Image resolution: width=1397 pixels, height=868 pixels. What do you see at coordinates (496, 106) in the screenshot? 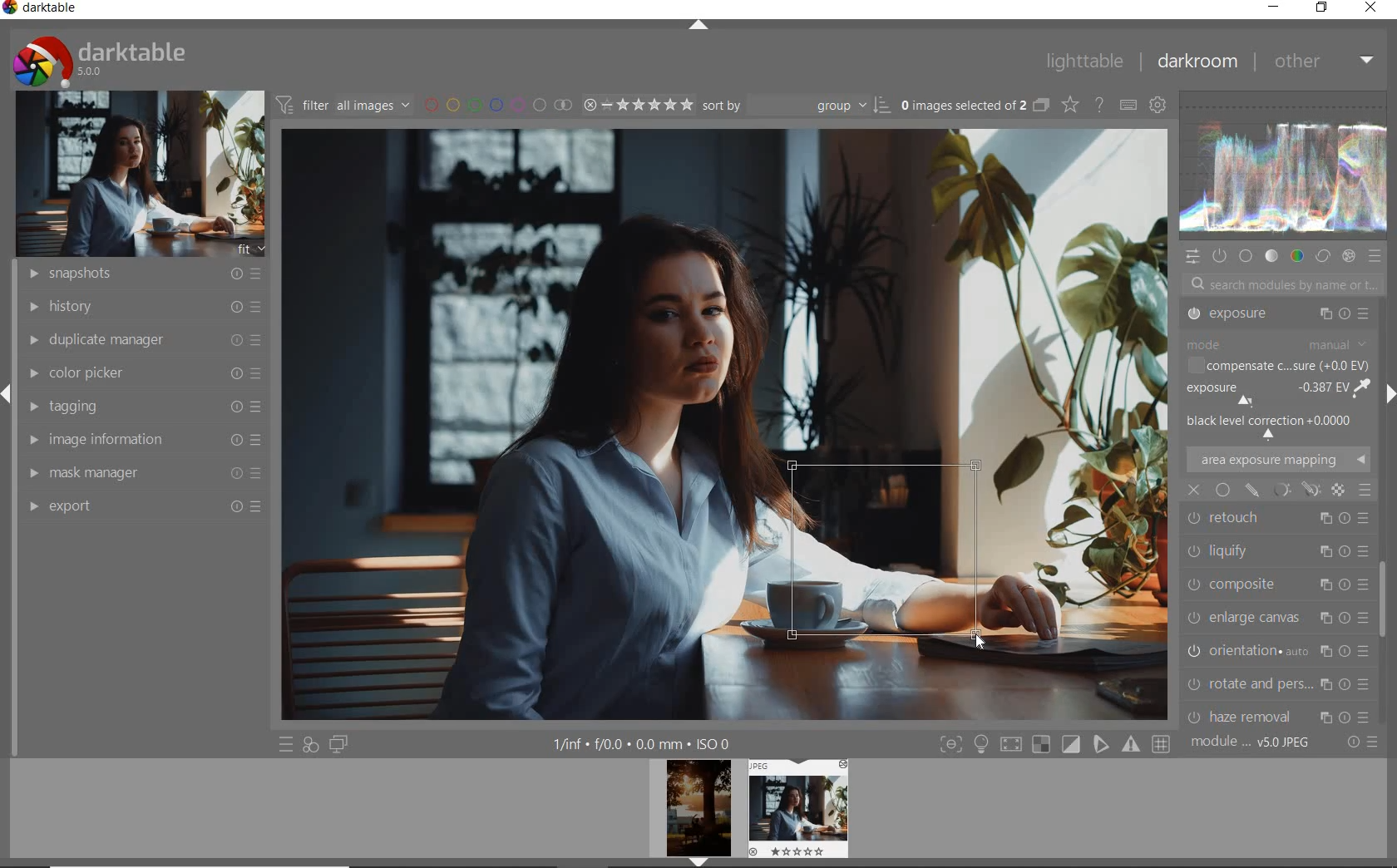
I see `FILTER BY IMAGE COLOR LABEL` at bounding box center [496, 106].